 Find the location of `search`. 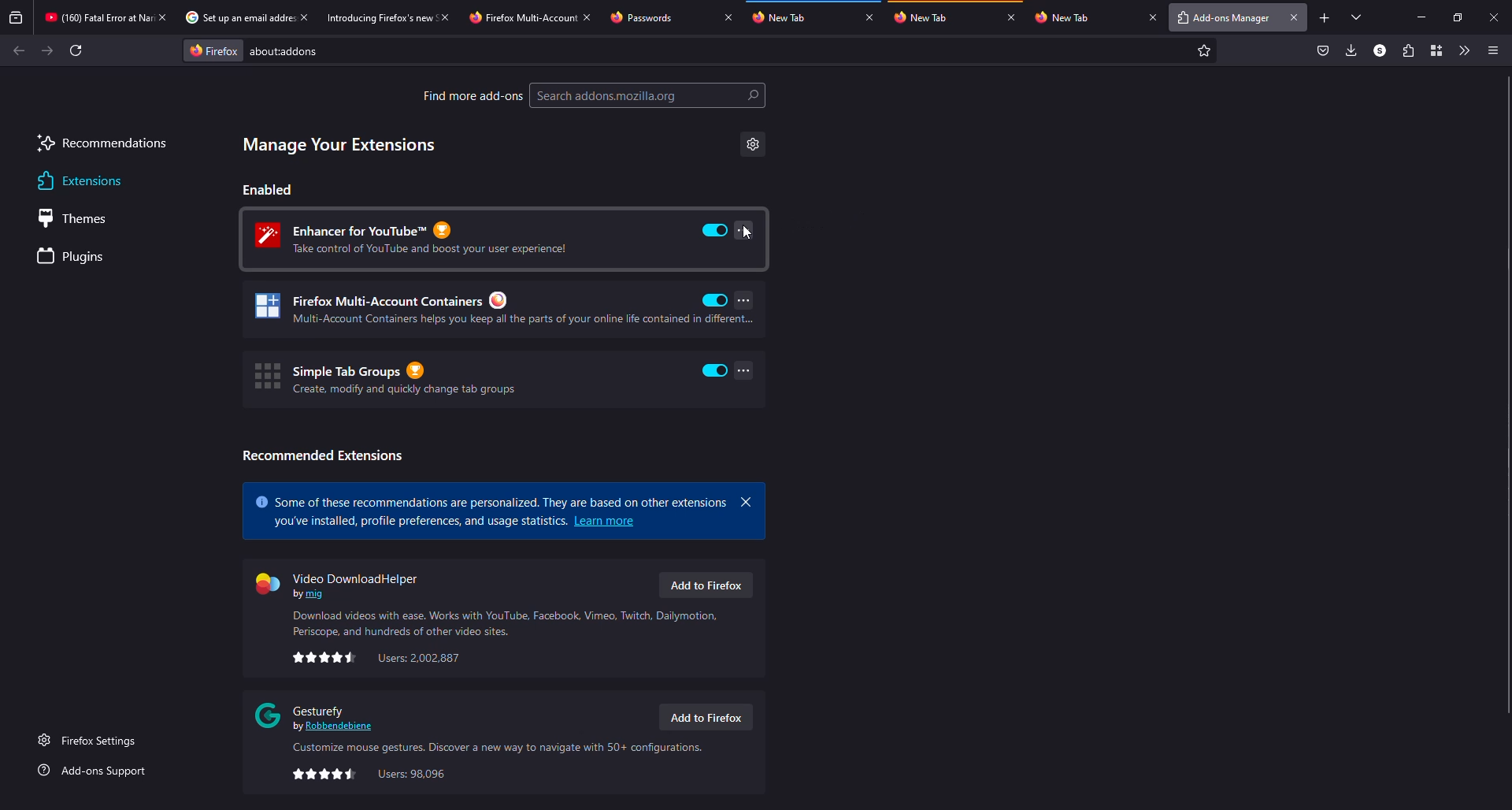

search is located at coordinates (648, 95).